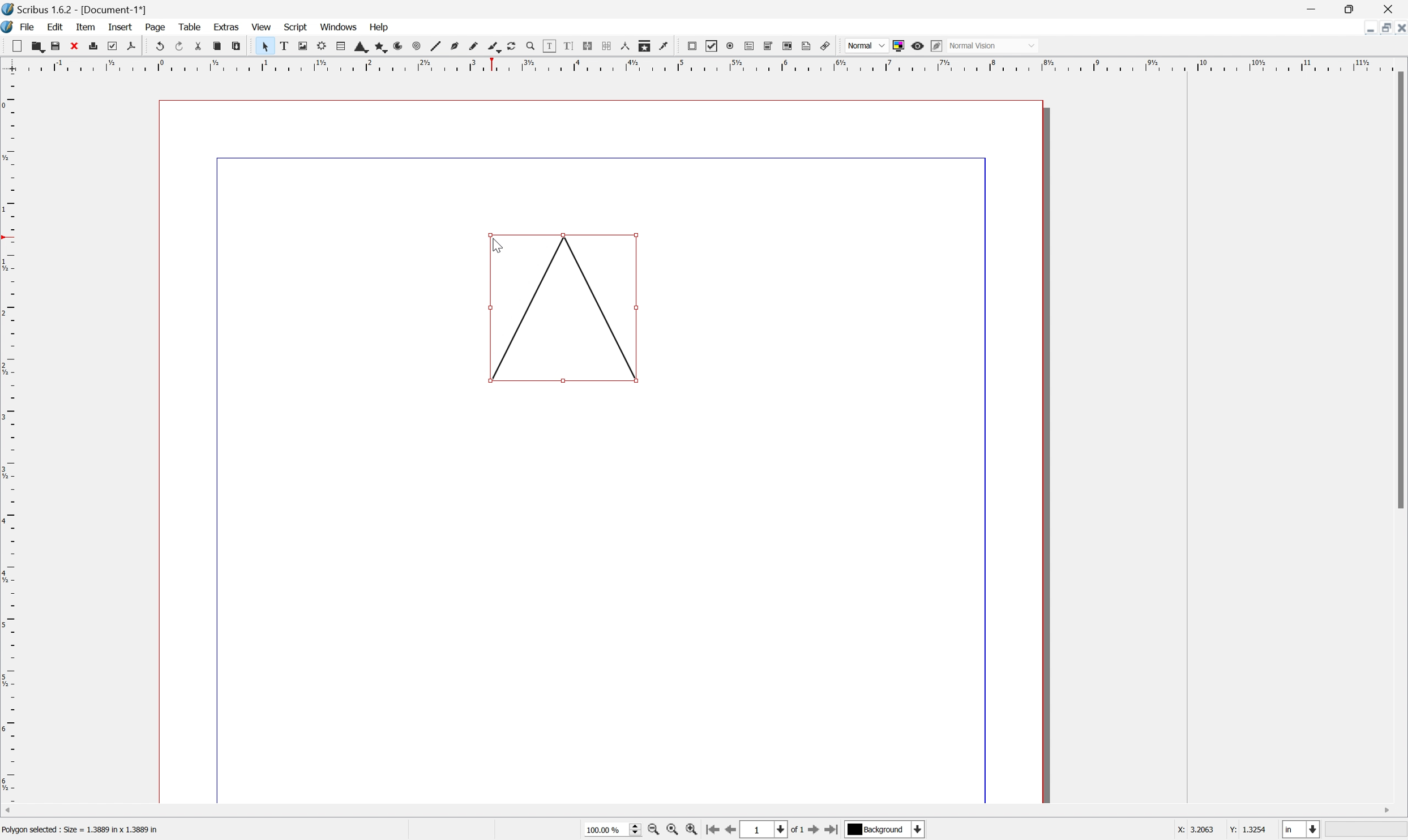 This screenshot has height=840, width=1408. What do you see at coordinates (84, 27) in the screenshot?
I see `Item` at bounding box center [84, 27].